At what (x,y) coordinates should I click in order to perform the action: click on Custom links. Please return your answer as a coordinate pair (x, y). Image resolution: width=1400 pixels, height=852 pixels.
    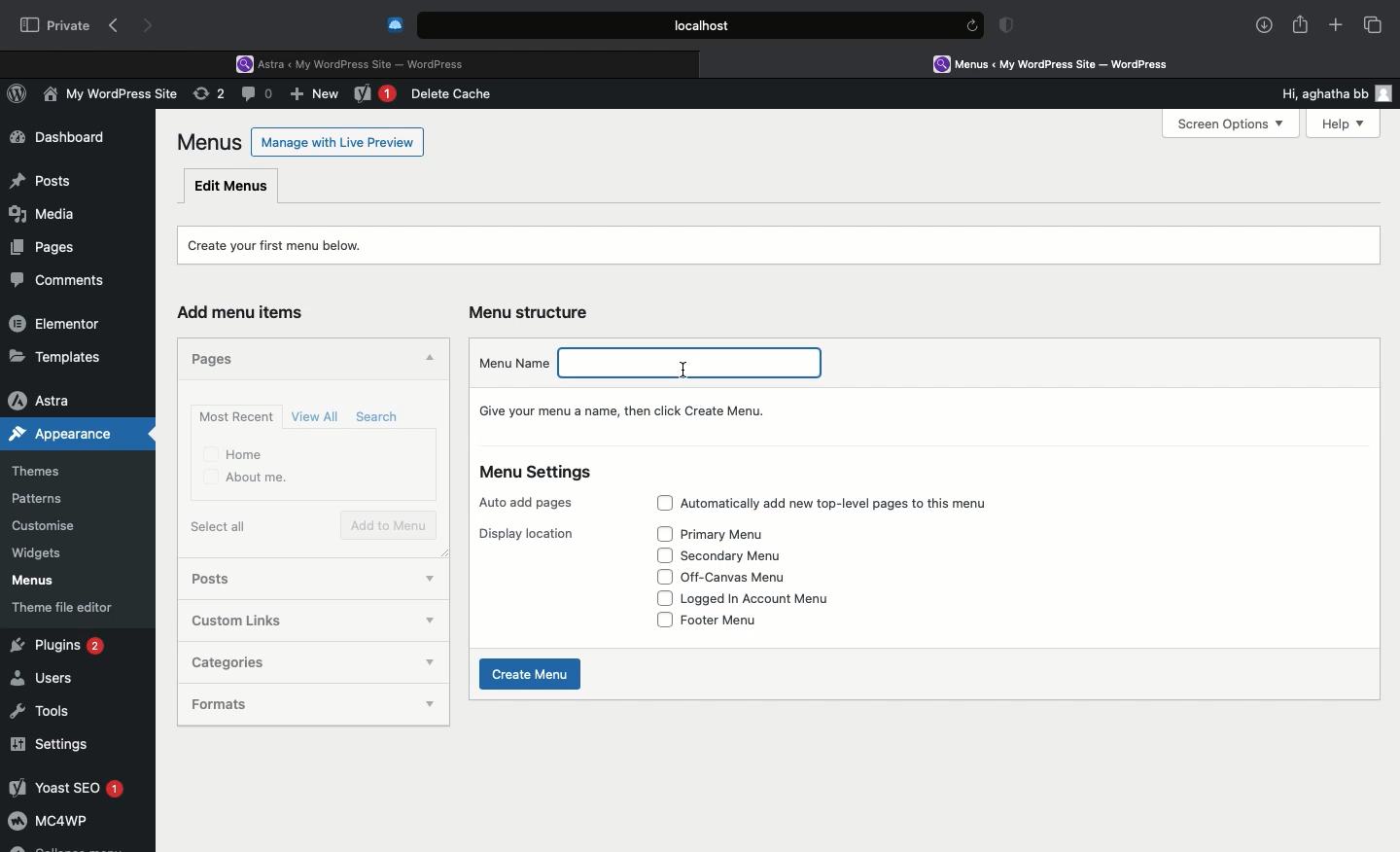
    Looking at the image, I should click on (286, 621).